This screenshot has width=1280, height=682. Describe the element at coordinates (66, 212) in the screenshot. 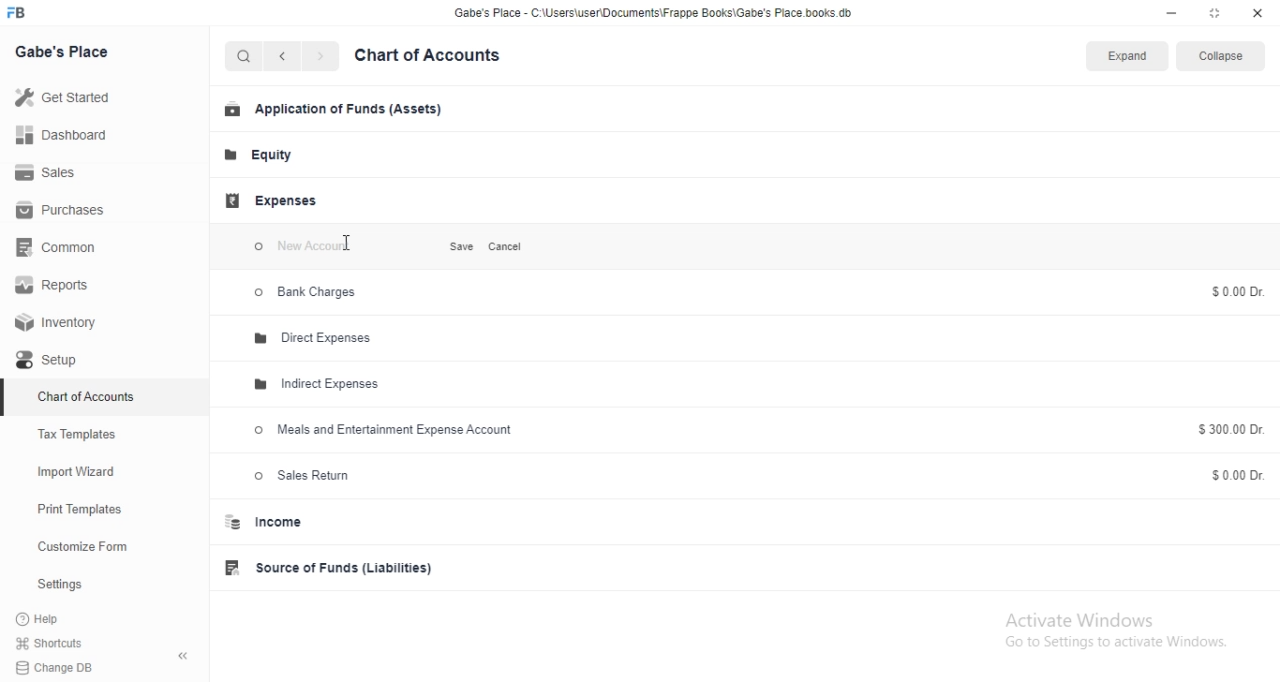

I see `Purchases` at that location.